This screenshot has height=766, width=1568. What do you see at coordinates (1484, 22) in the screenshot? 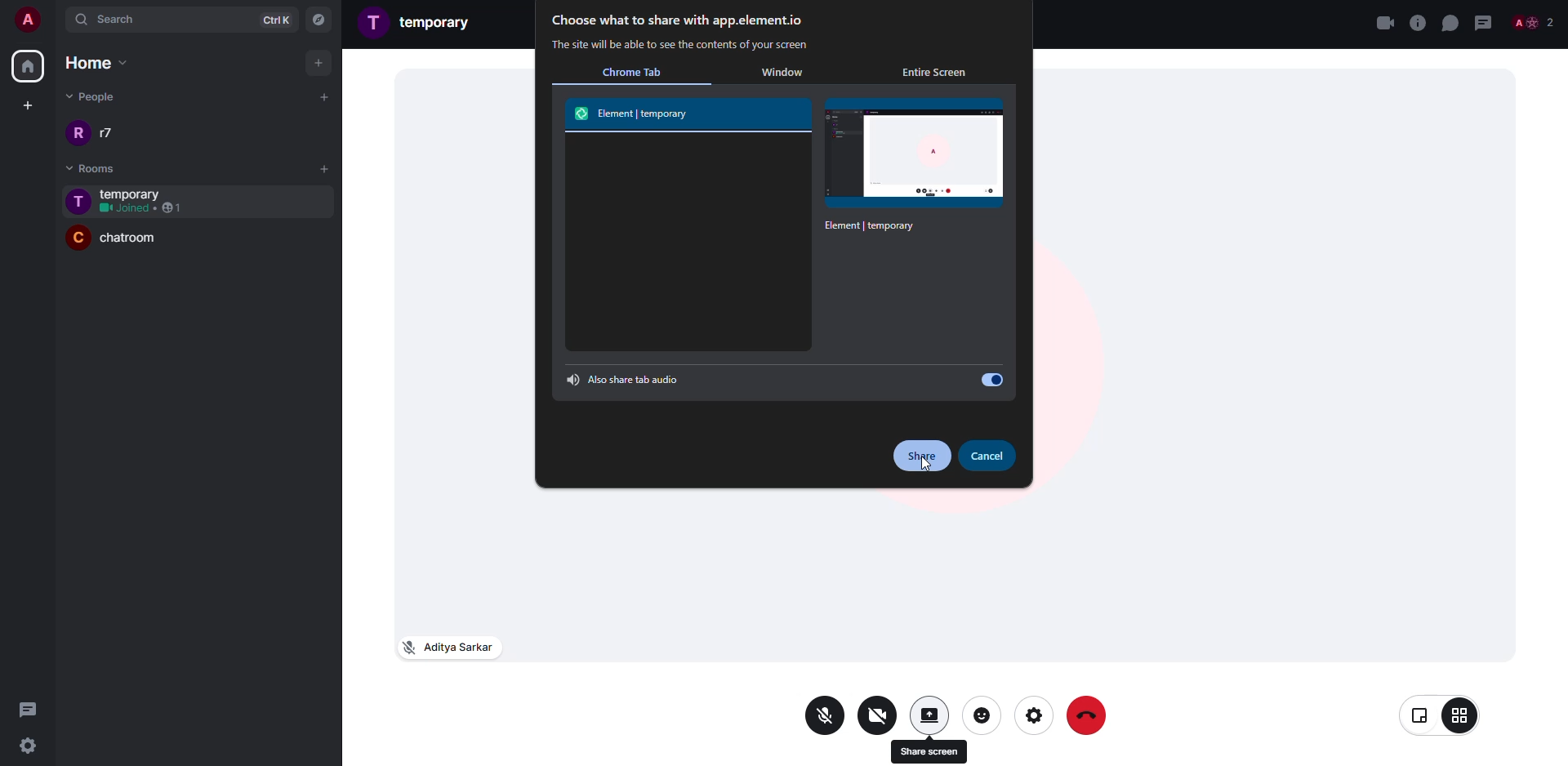
I see `threads` at bounding box center [1484, 22].